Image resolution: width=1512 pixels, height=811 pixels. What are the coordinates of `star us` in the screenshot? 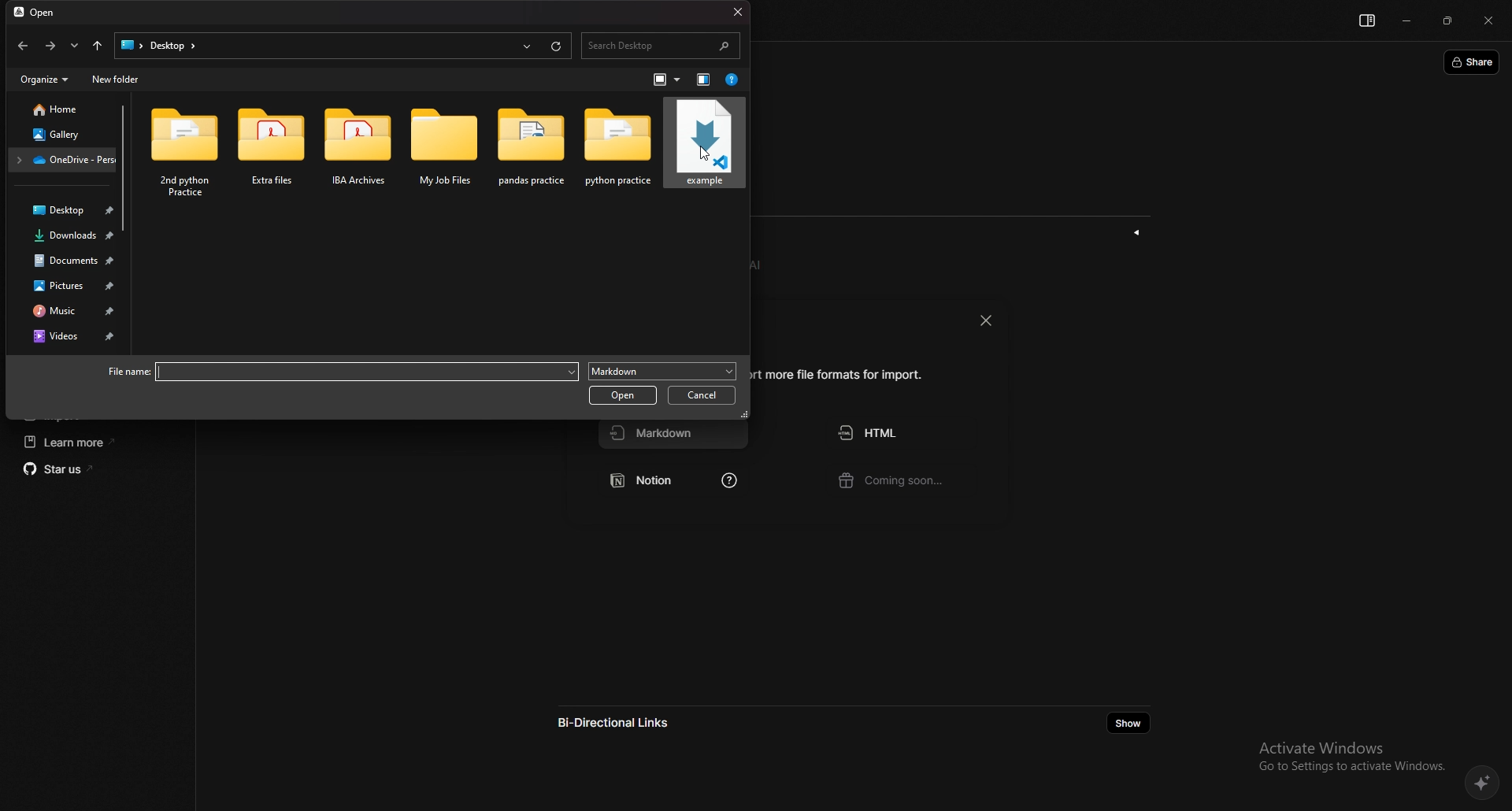 It's located at (95, 469).